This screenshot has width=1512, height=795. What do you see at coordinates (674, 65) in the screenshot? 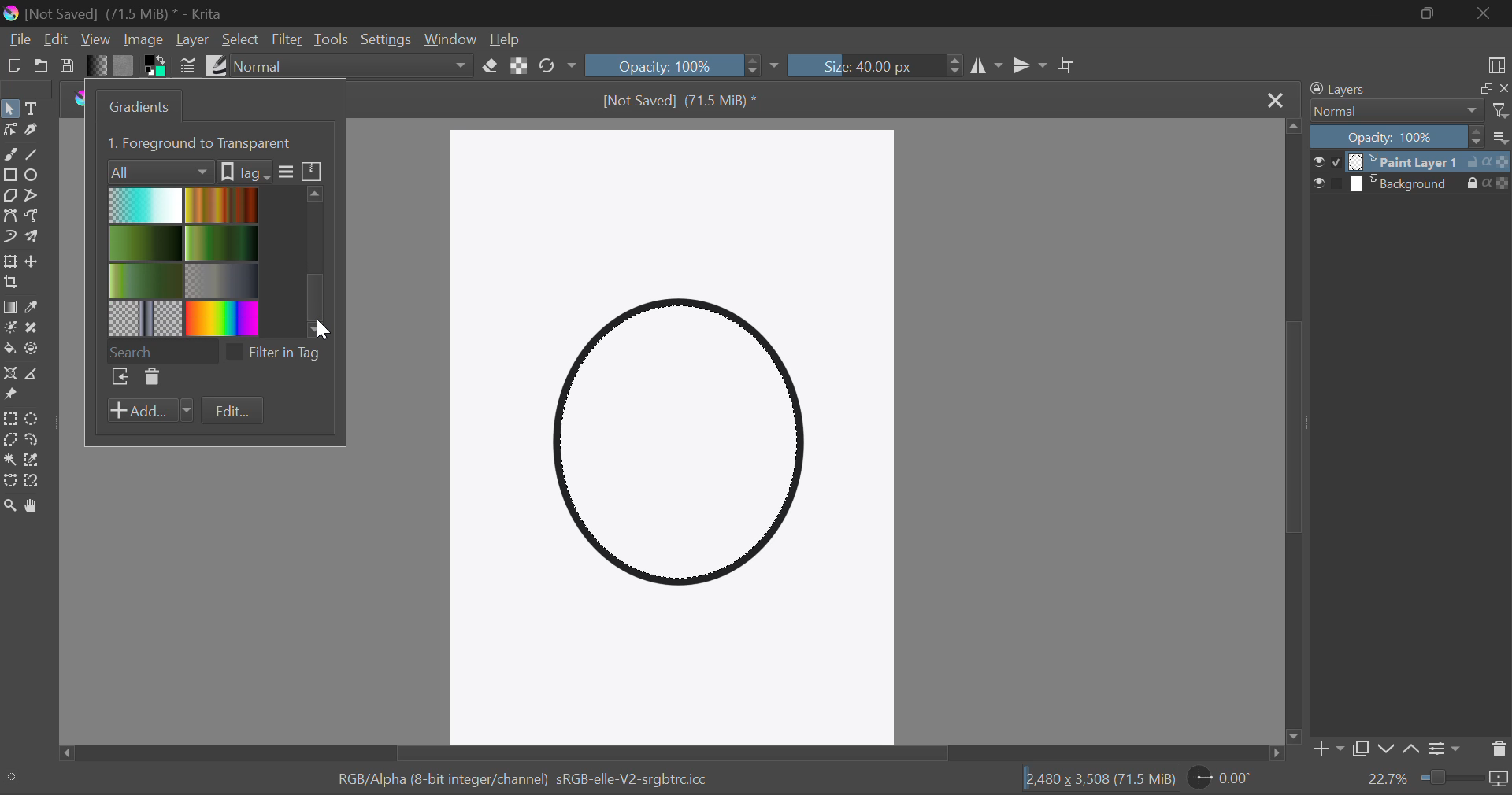
I see `Opacity` at bounding box center [674, 65].